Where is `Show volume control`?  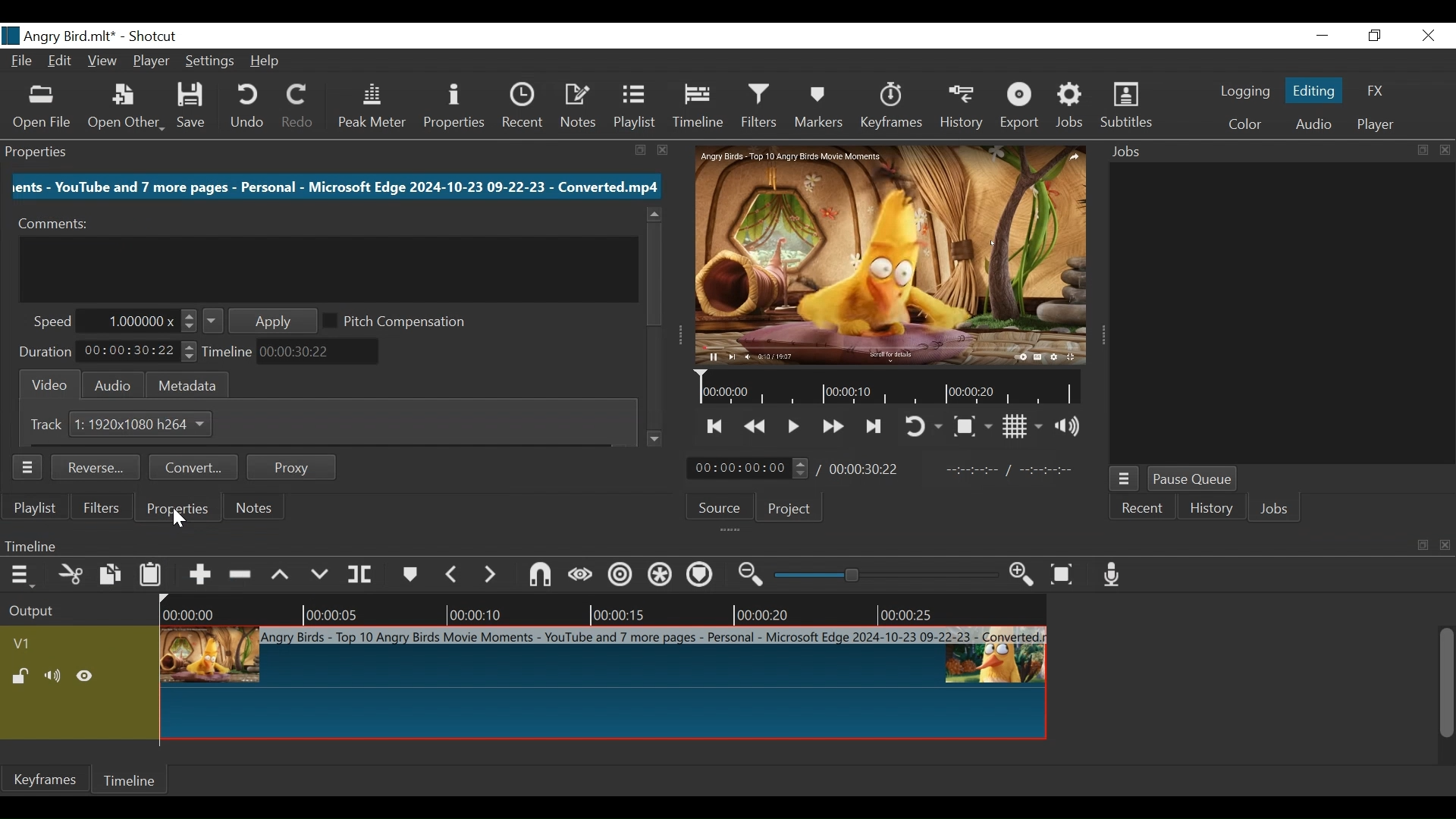 Show volume control is located at coordinates (1071, 425).